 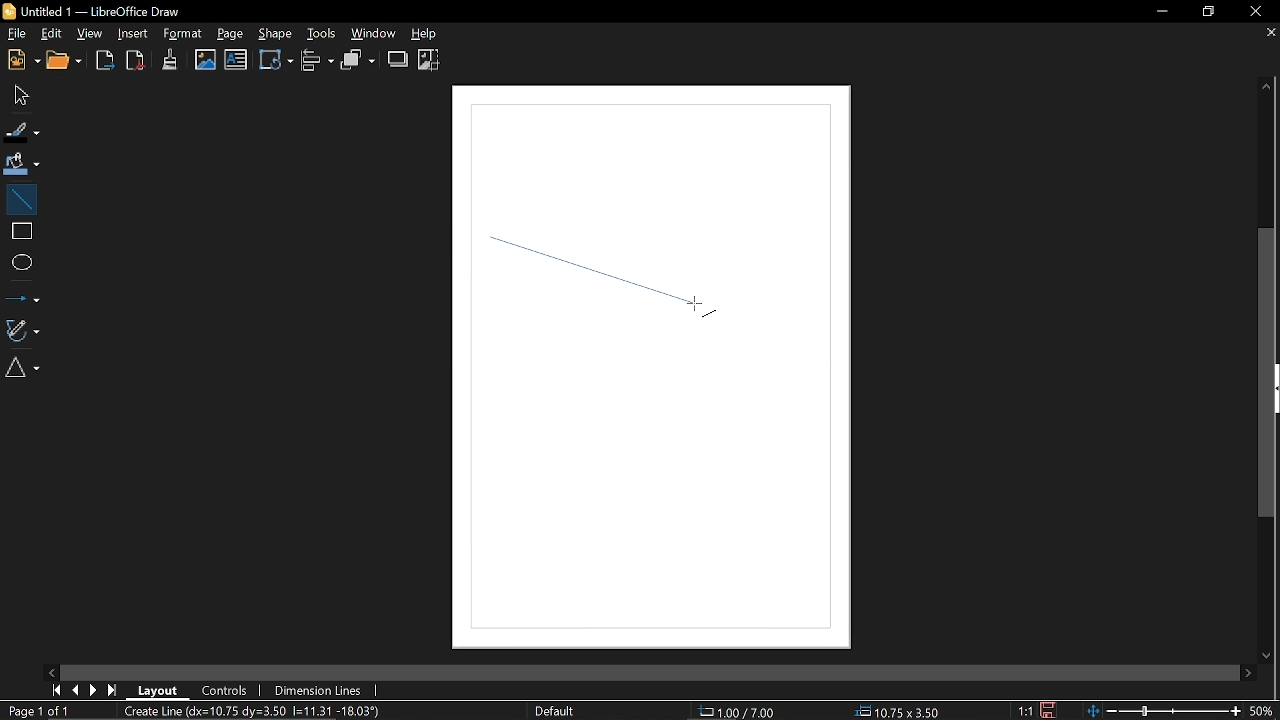 I want to click on Tools, so click(x=321, y=34).